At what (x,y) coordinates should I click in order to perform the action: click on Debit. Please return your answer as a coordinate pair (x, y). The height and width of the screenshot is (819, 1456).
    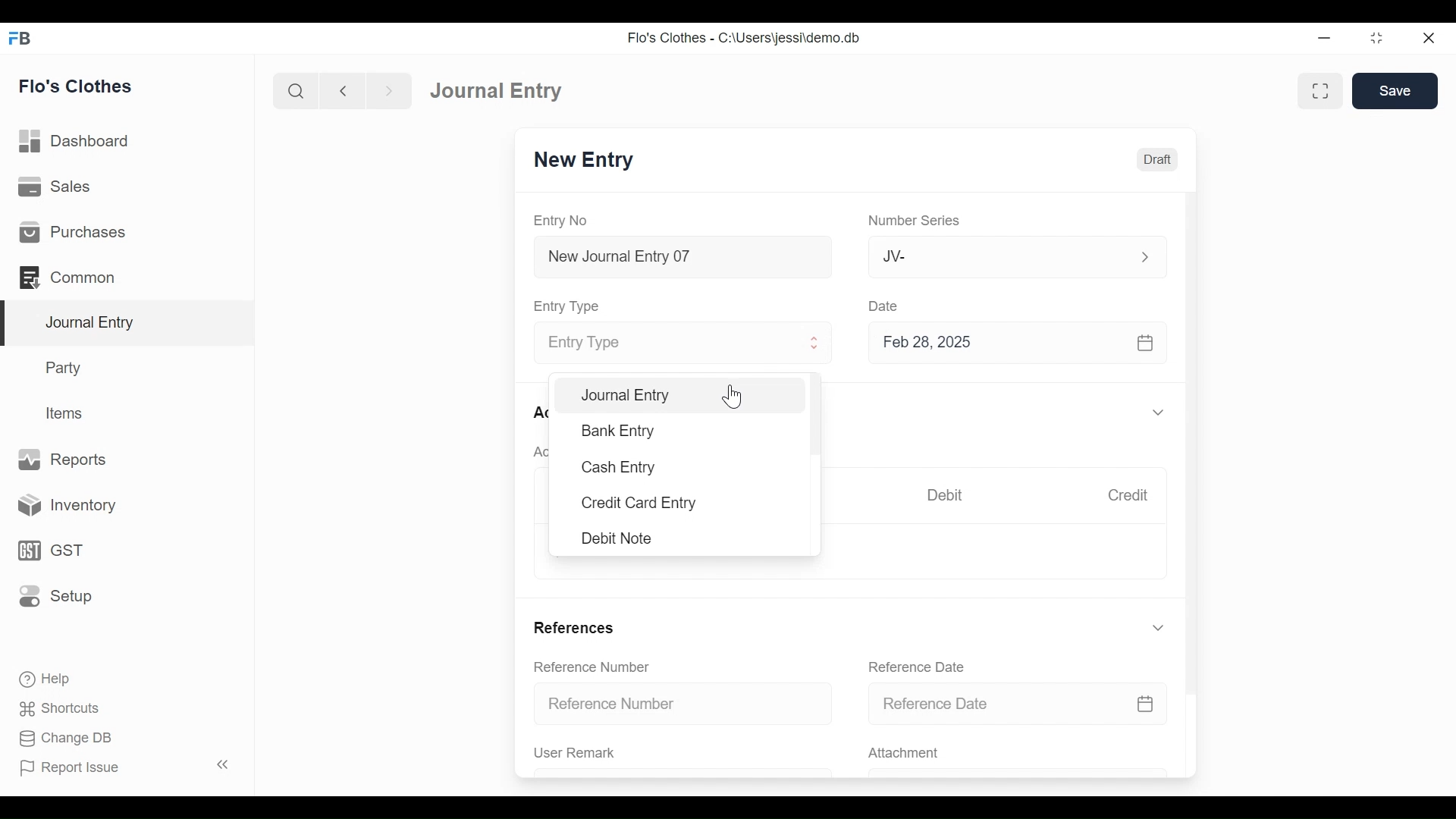
    Looking at the image, I should click on (943, 495).